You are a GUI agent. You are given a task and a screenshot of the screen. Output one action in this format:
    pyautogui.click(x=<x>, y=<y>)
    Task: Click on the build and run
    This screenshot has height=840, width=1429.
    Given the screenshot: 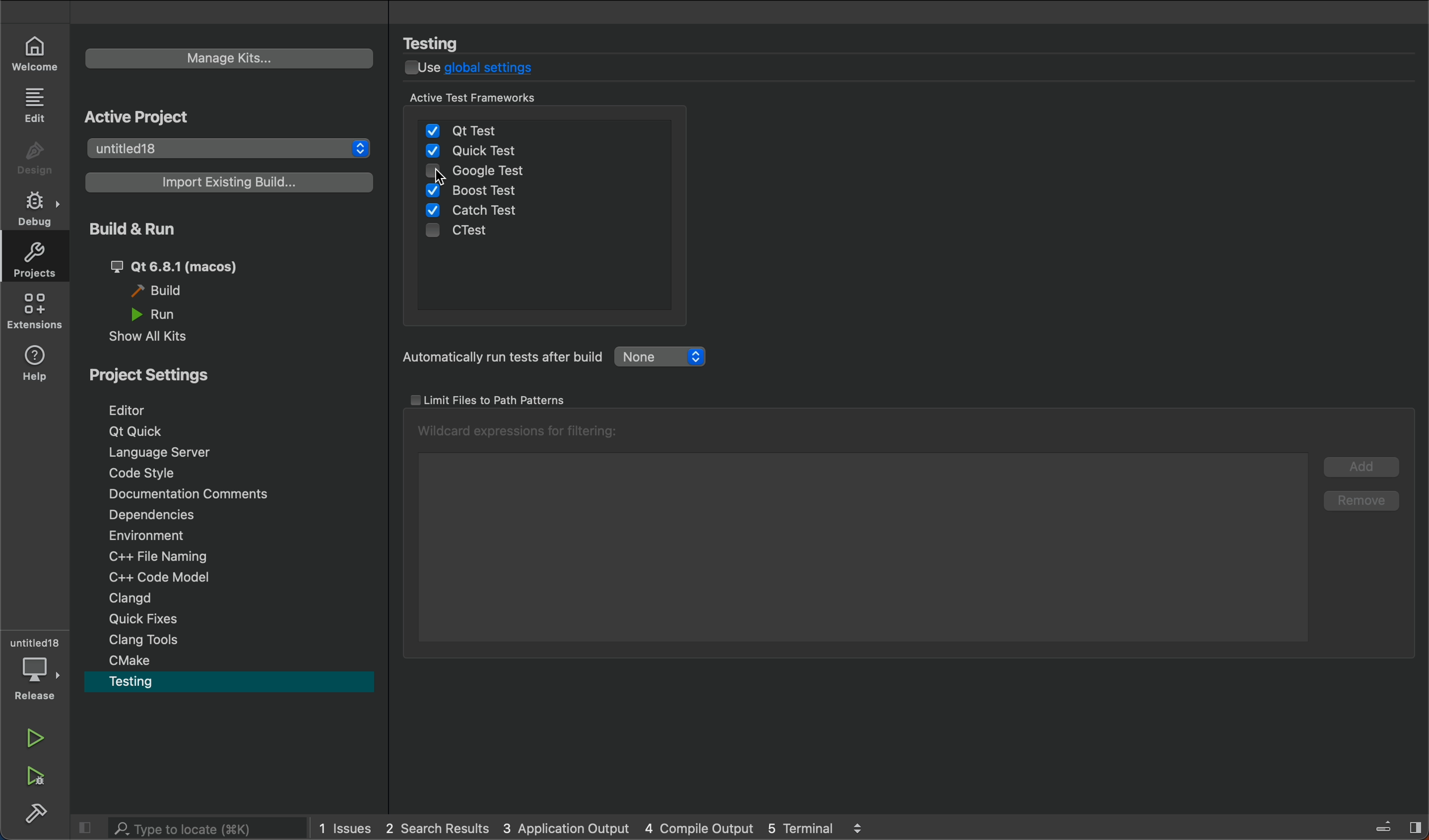 What is the action you would take?
    pyautogui.click(x=228, y=278)
    